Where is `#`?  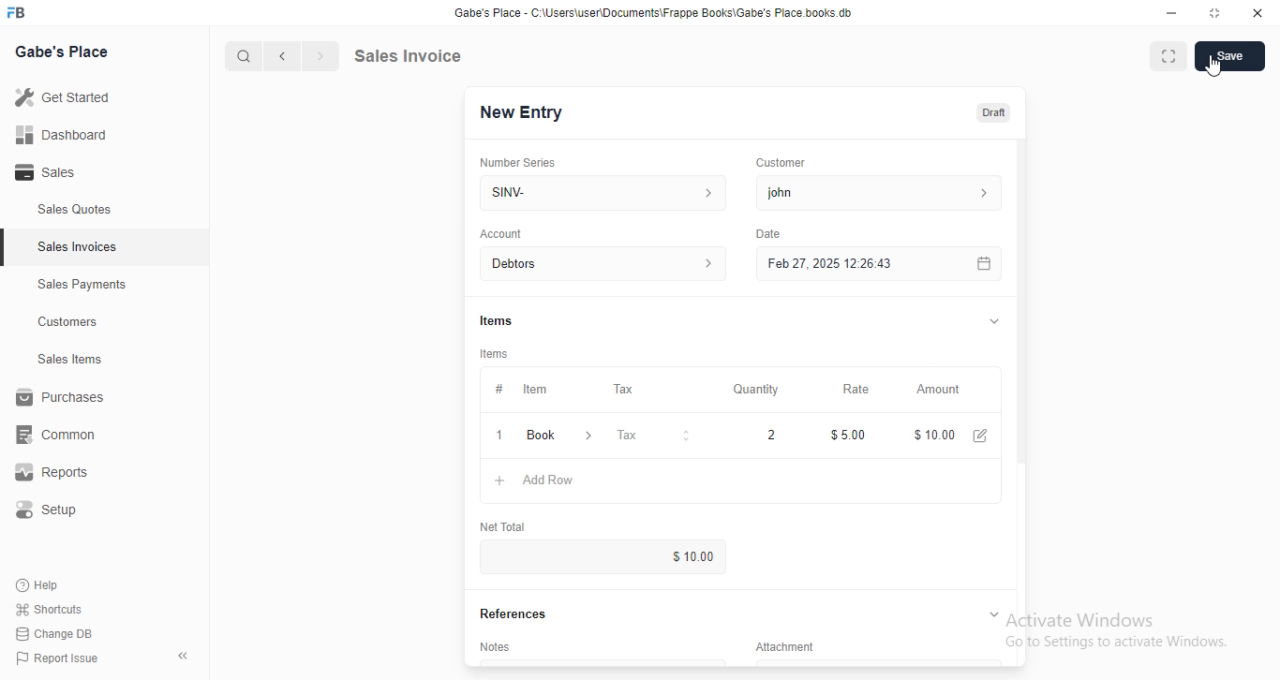 # is located at coordinates (500, 388).